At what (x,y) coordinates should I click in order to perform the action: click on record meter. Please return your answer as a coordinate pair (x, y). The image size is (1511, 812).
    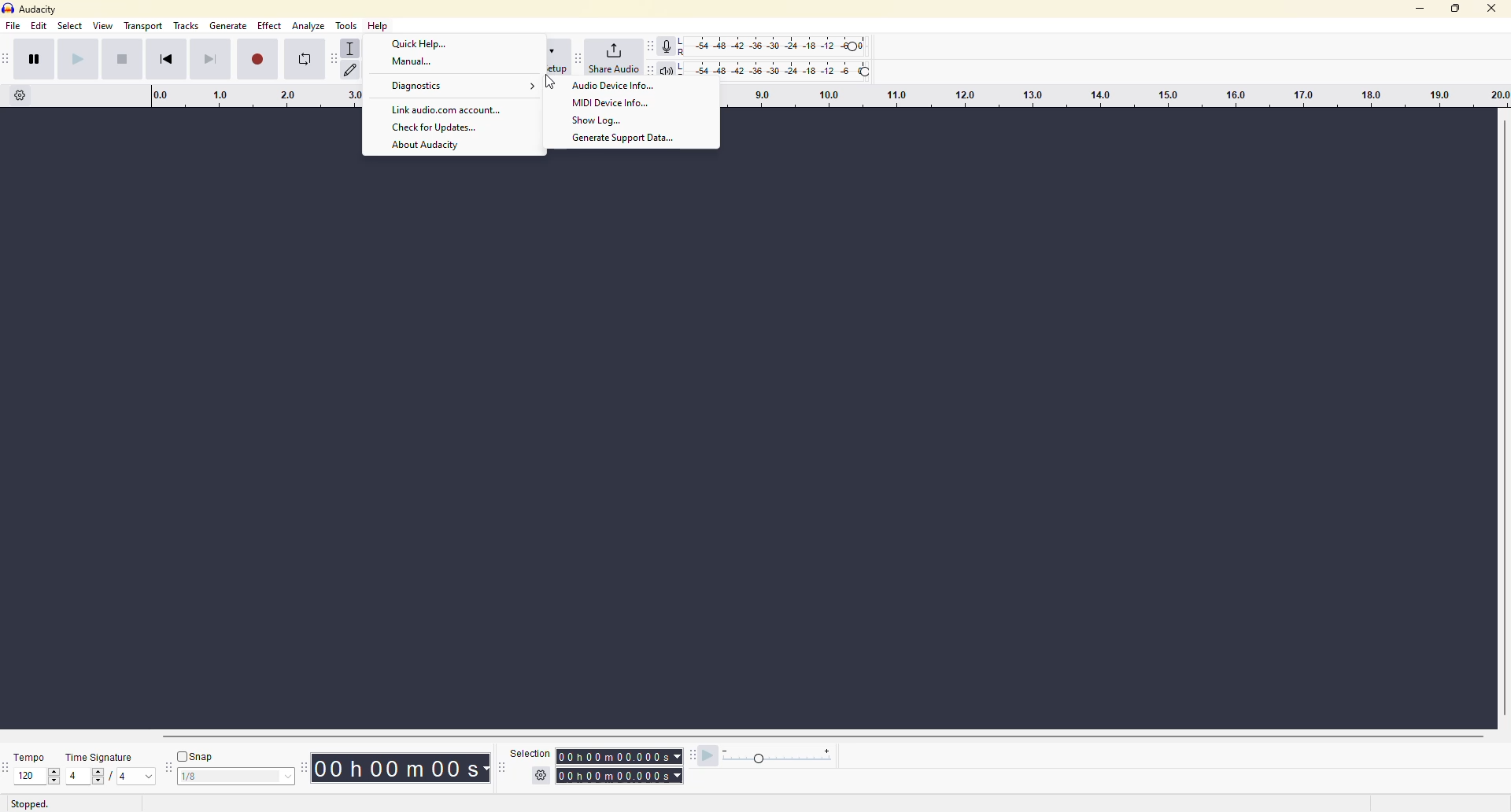
    Looking at the image, I should click on (669, 44).